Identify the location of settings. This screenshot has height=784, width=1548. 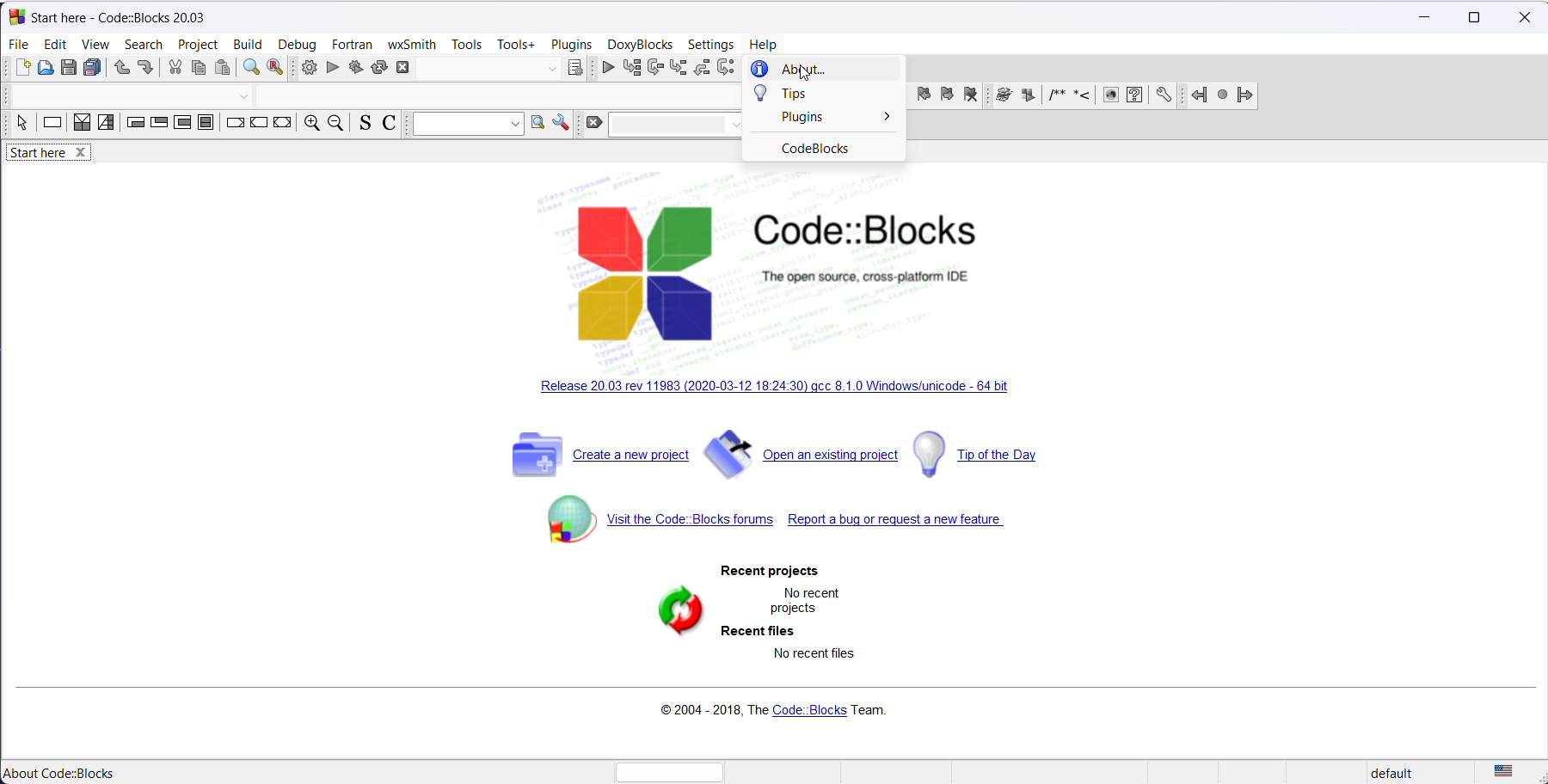
(1159, 95).